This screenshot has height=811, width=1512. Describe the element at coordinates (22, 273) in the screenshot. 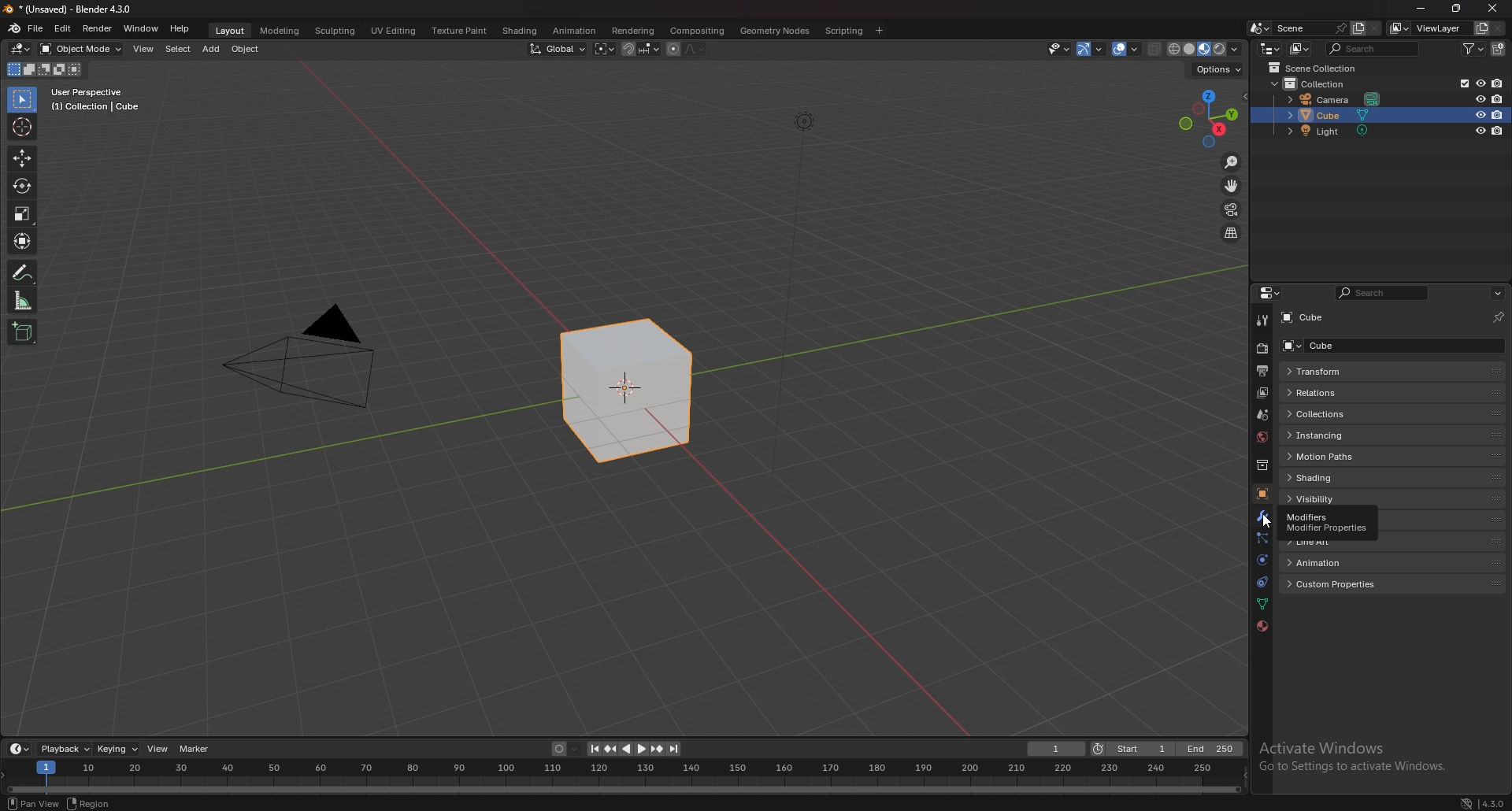

I see `annotate` at that location.